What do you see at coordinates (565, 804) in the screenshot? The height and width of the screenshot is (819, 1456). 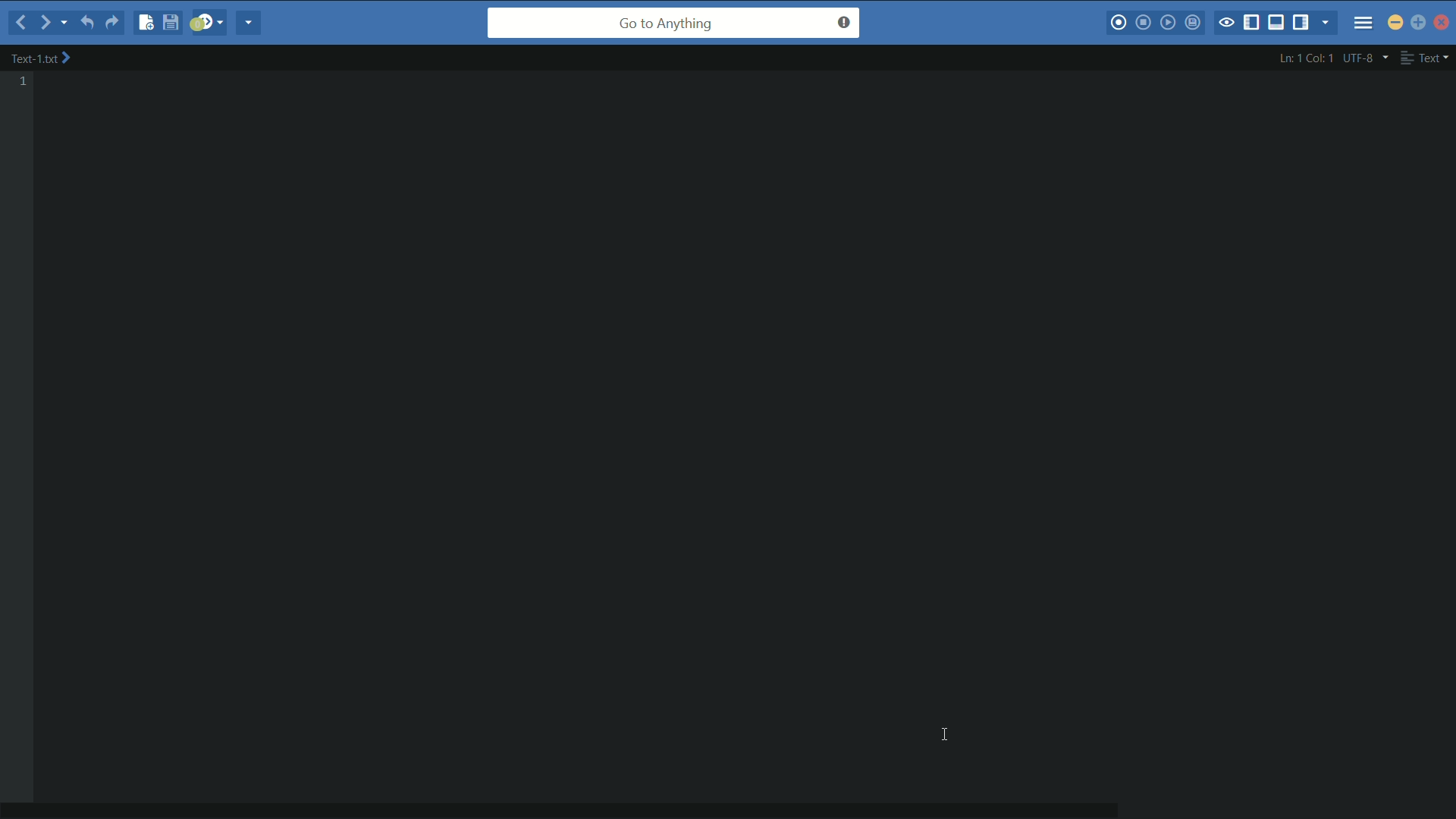 I see `horizontal scroll bar` at bounding box center [565, 804].